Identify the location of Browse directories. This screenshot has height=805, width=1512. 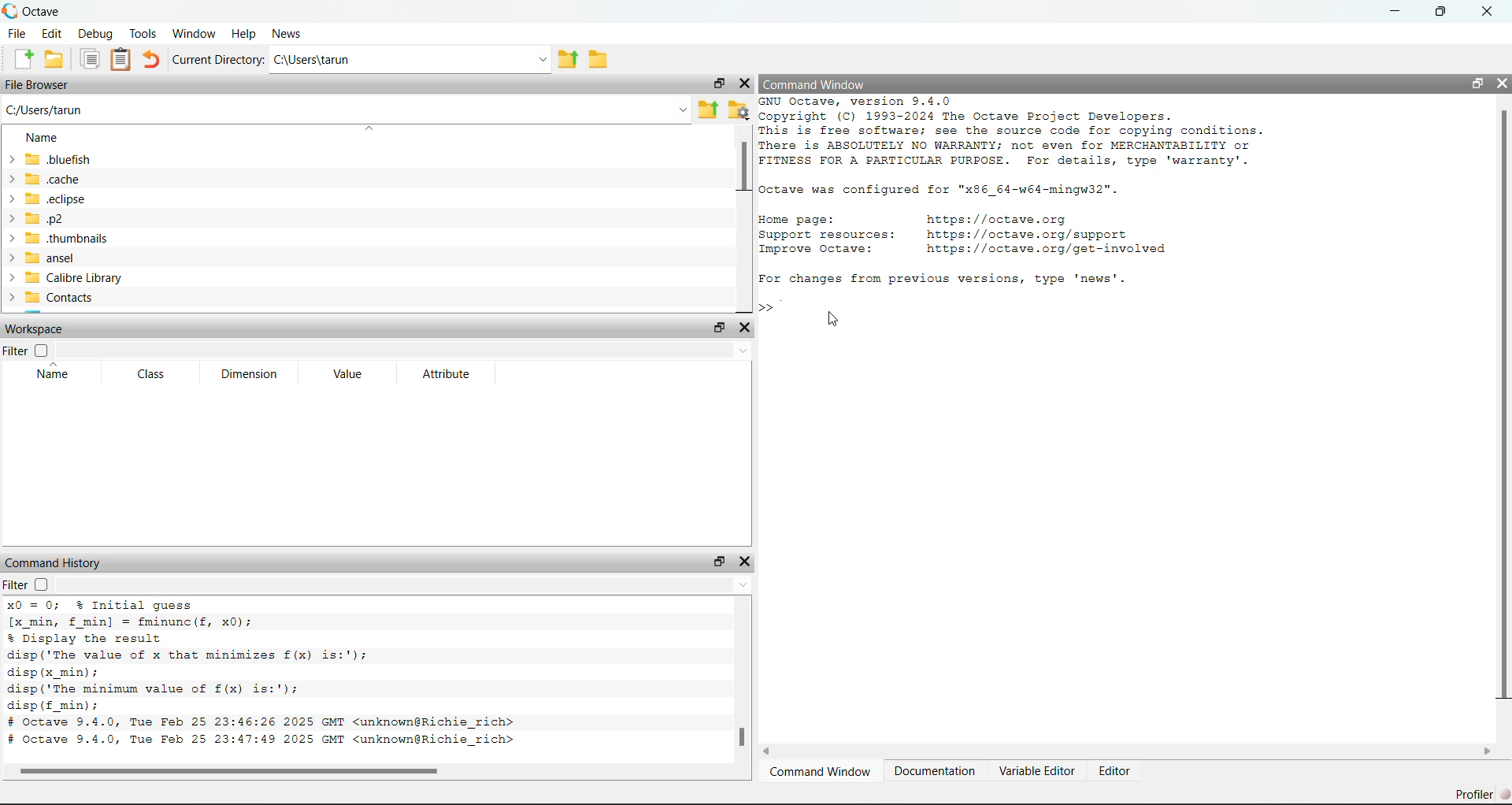
(601, 58).